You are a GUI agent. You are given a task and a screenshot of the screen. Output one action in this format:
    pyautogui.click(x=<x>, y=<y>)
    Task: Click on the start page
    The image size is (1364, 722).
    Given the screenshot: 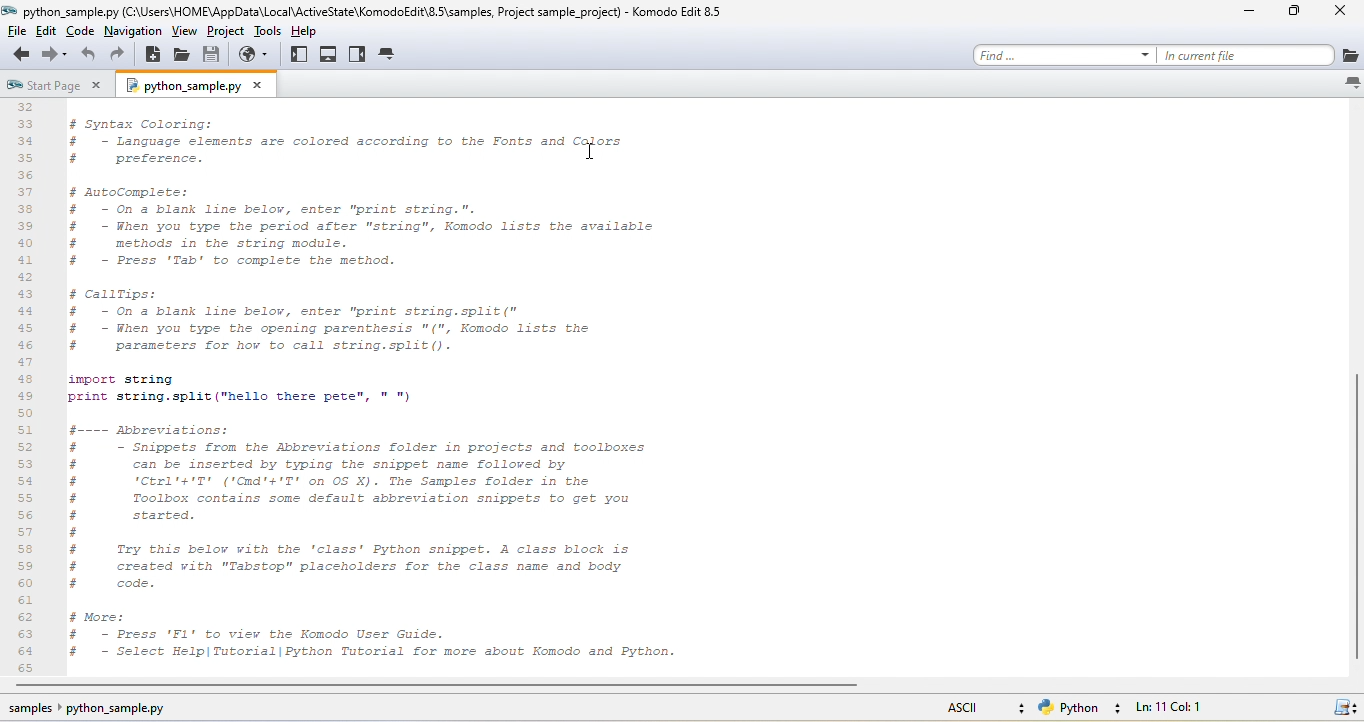 What is the action you would take?
    pyautogui.click(x=56, y=84)
    